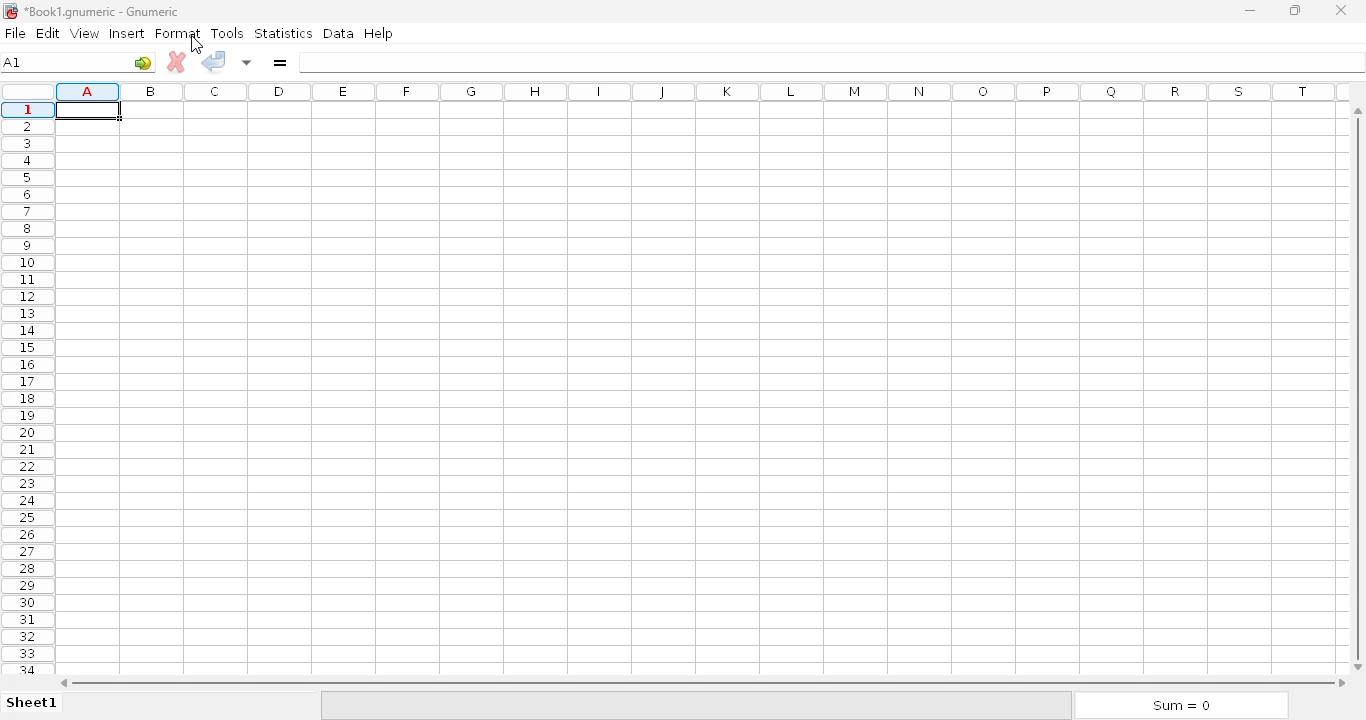 Image resolution: width=1366 pixels, height=720 pixels. I want to click on enter formula, so click(279, 63).